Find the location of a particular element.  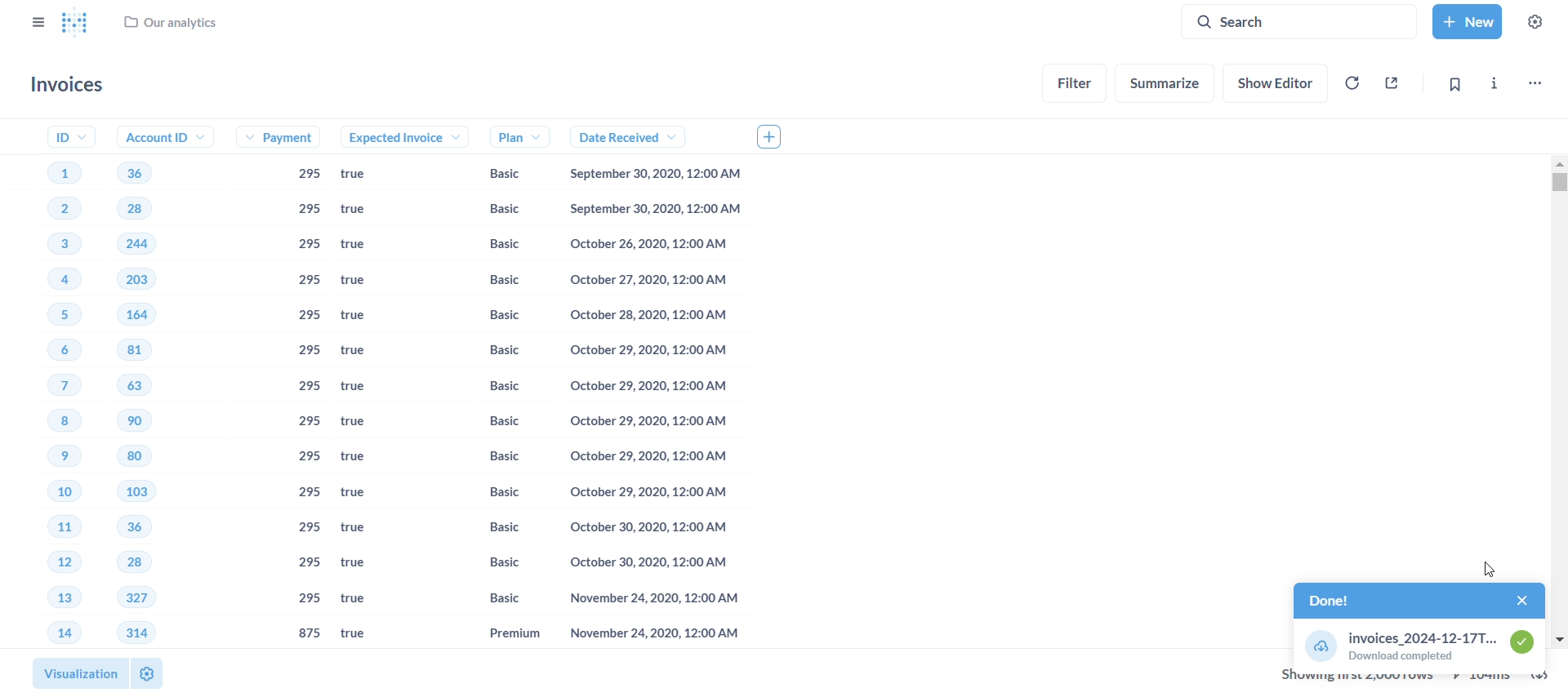

Basic is located at coordinates (493, 457).